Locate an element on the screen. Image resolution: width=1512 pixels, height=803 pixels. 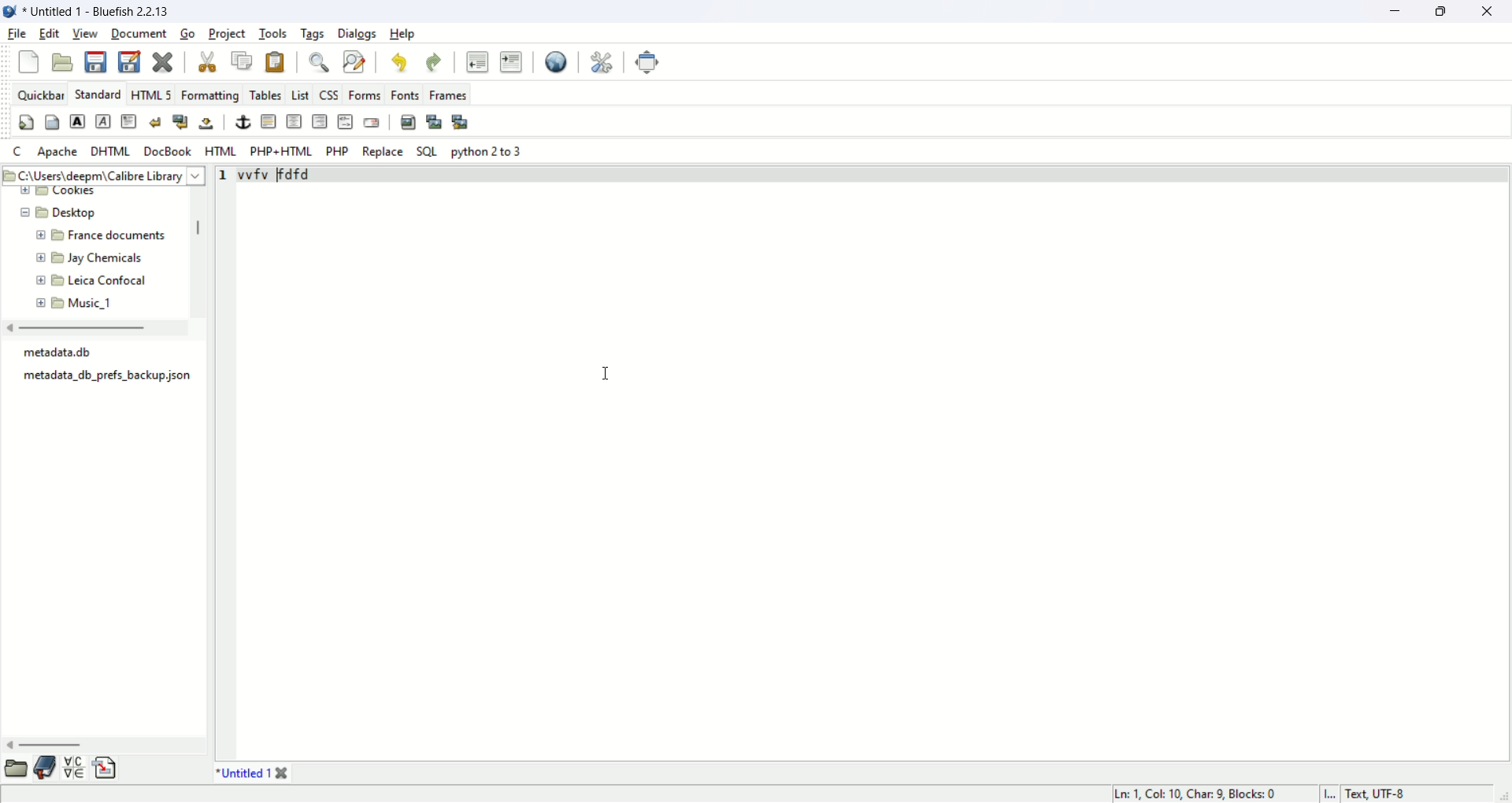
folder name is located at coordinates (96, 302).